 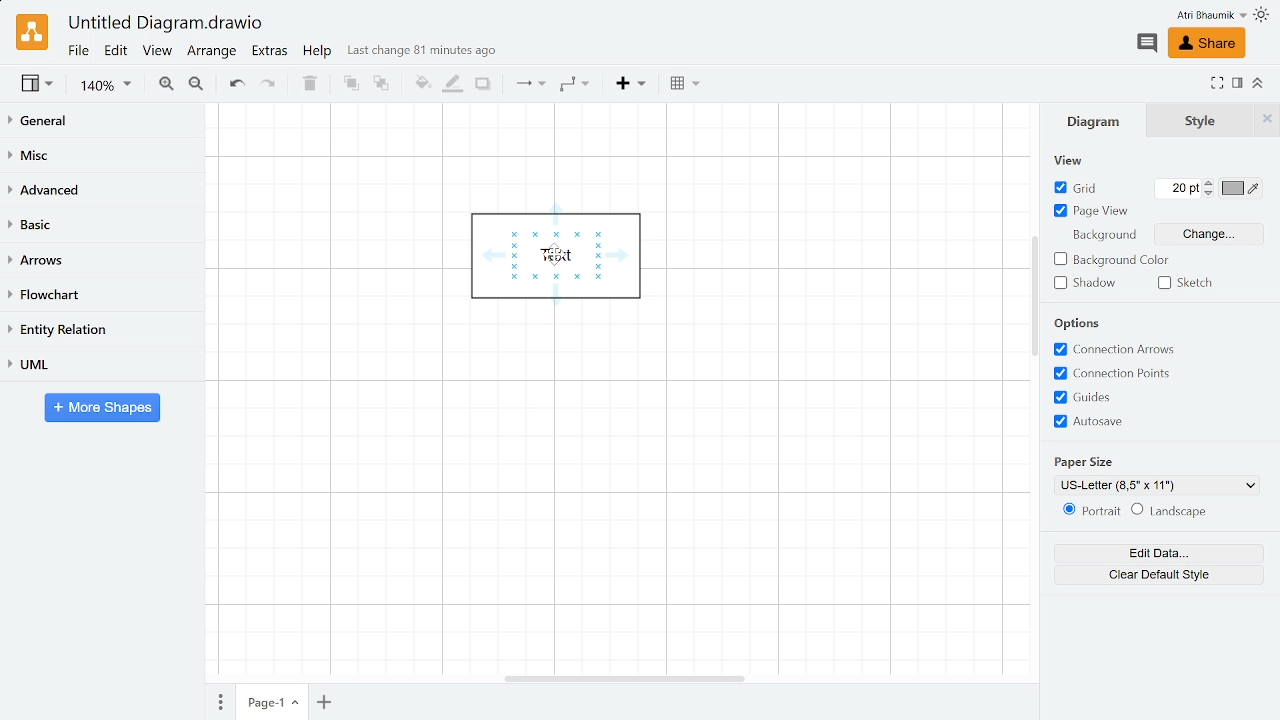 What do you see at coordinates (1086, 284) in the screenshot?
I see `Shadow` at bounding box center [1086, 284].